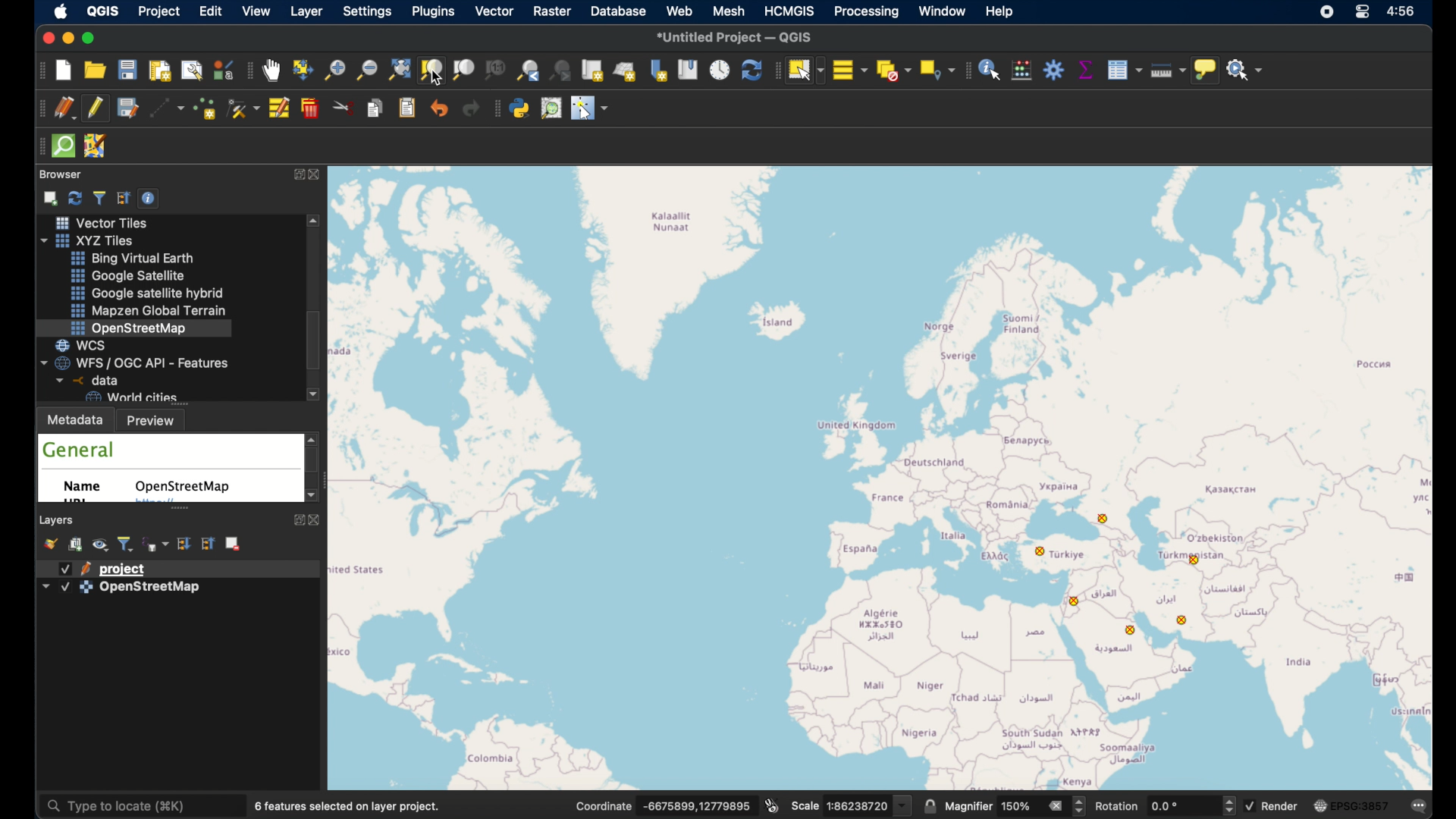  Describe the element at coordinates (88, 344) in the screenshot. I see `wcs` at that location.